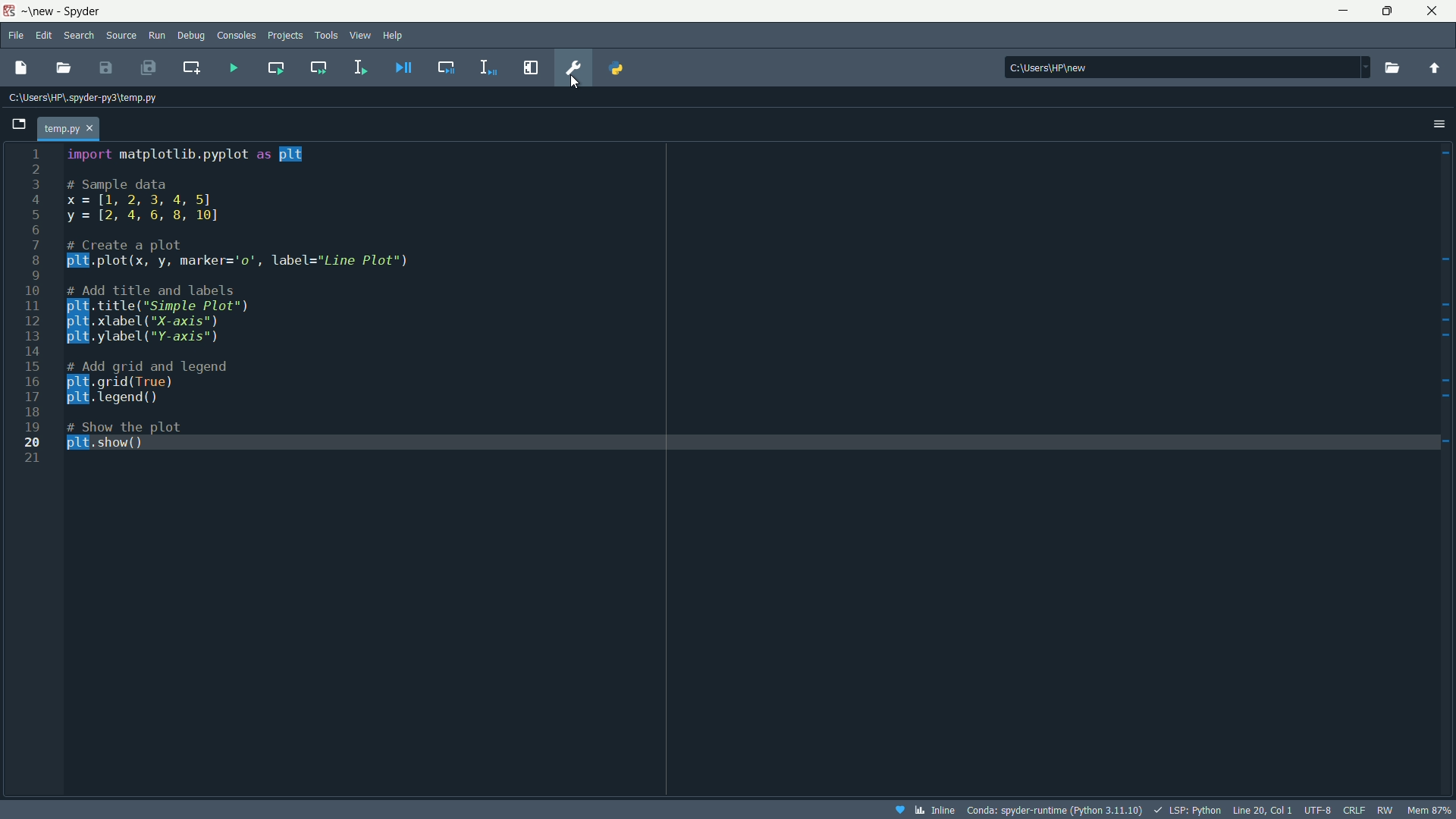  I want to click on run, so click(157, 36).